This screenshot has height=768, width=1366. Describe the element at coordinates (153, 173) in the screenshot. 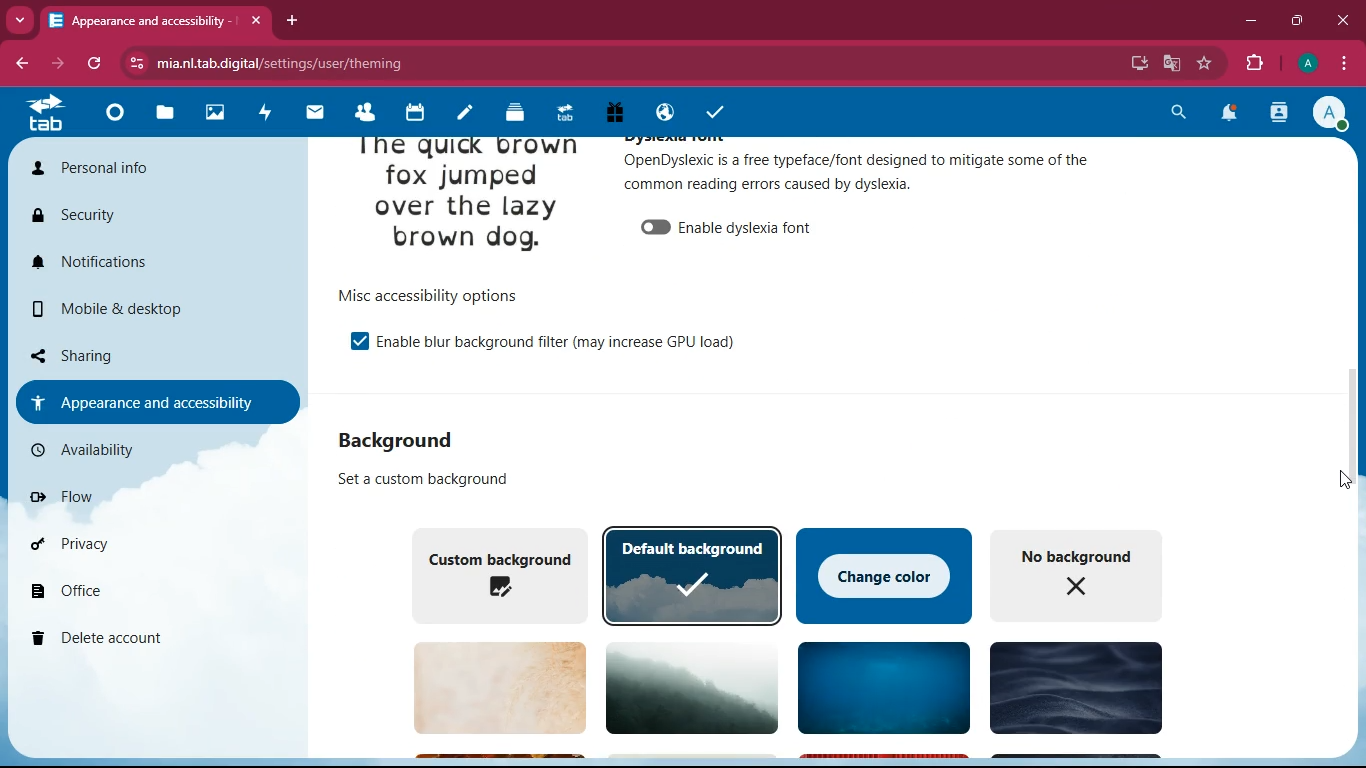

I see `personal info` at that location.